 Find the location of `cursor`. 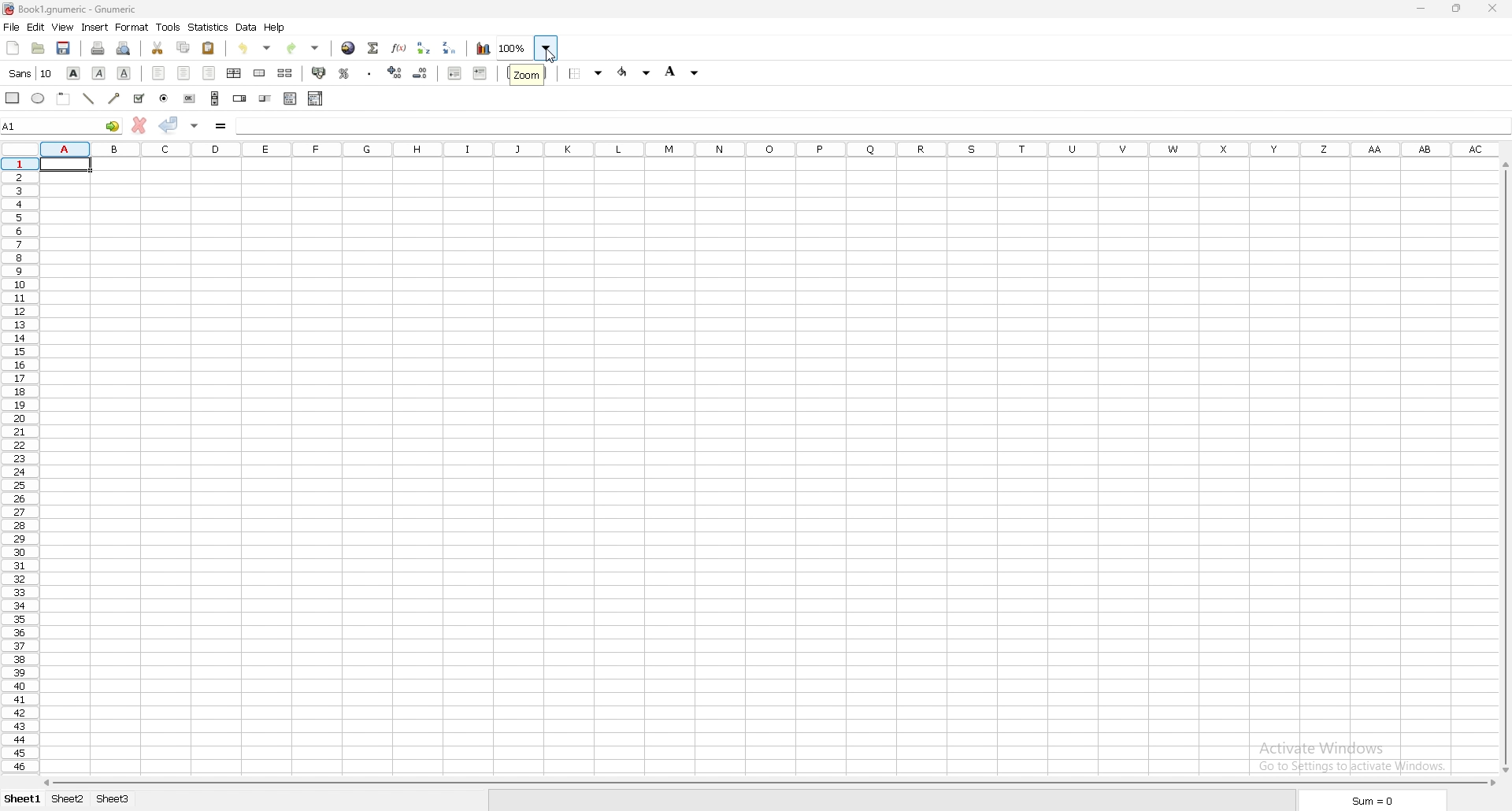

cursor is located at coordinates (551, 56).